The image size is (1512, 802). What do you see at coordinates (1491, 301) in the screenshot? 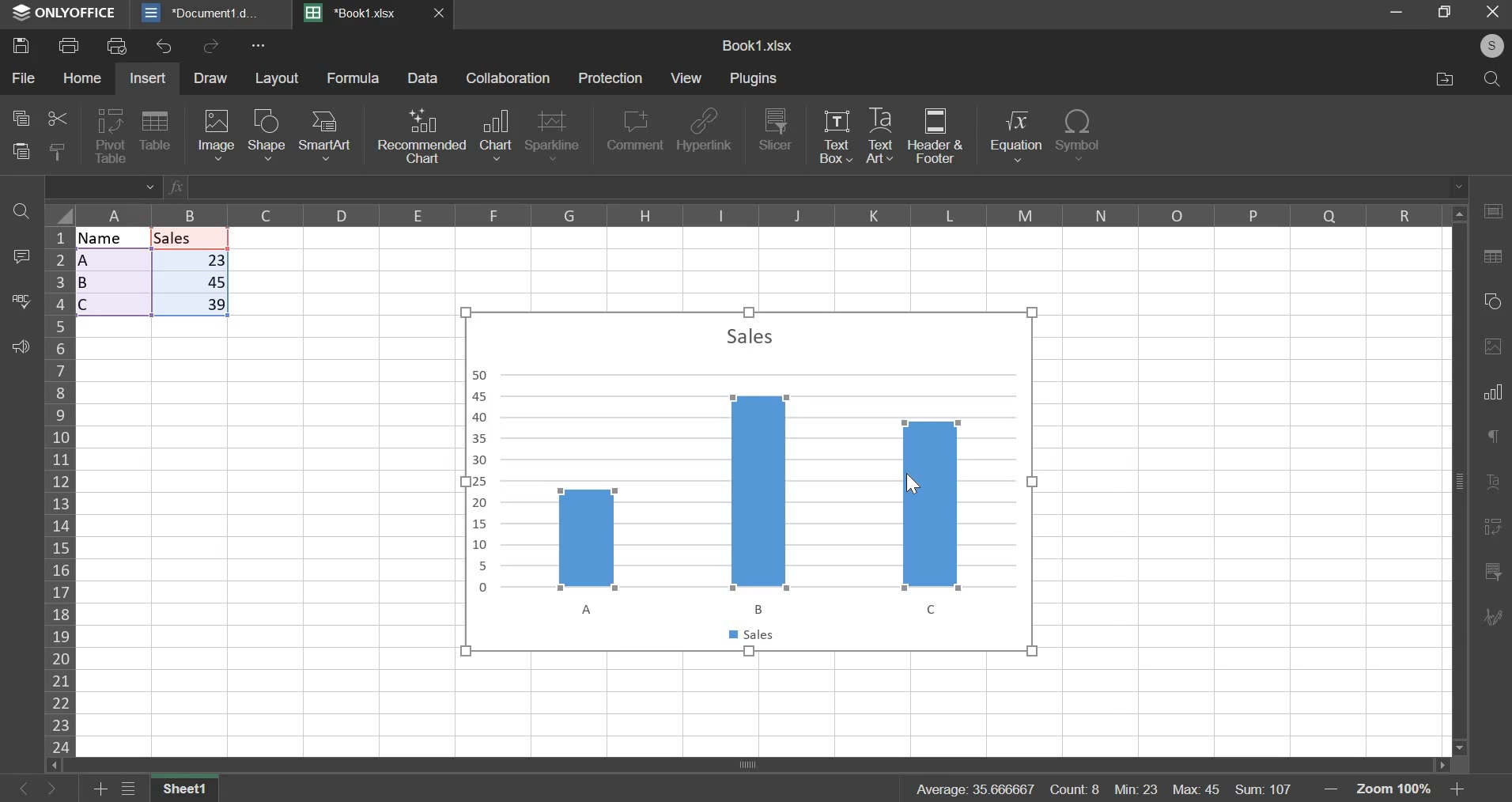
I see `Shape tool` at bounding box center [1491, 301].